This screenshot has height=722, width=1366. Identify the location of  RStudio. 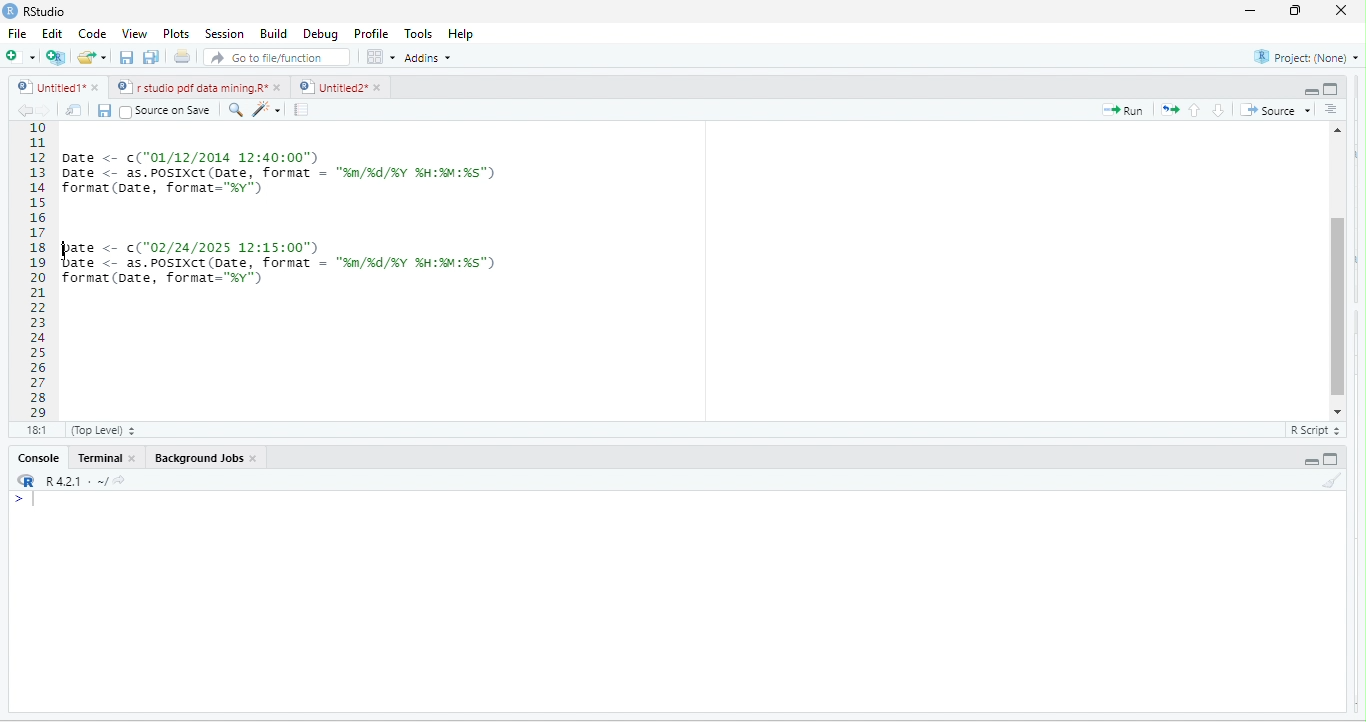
(43, 12).